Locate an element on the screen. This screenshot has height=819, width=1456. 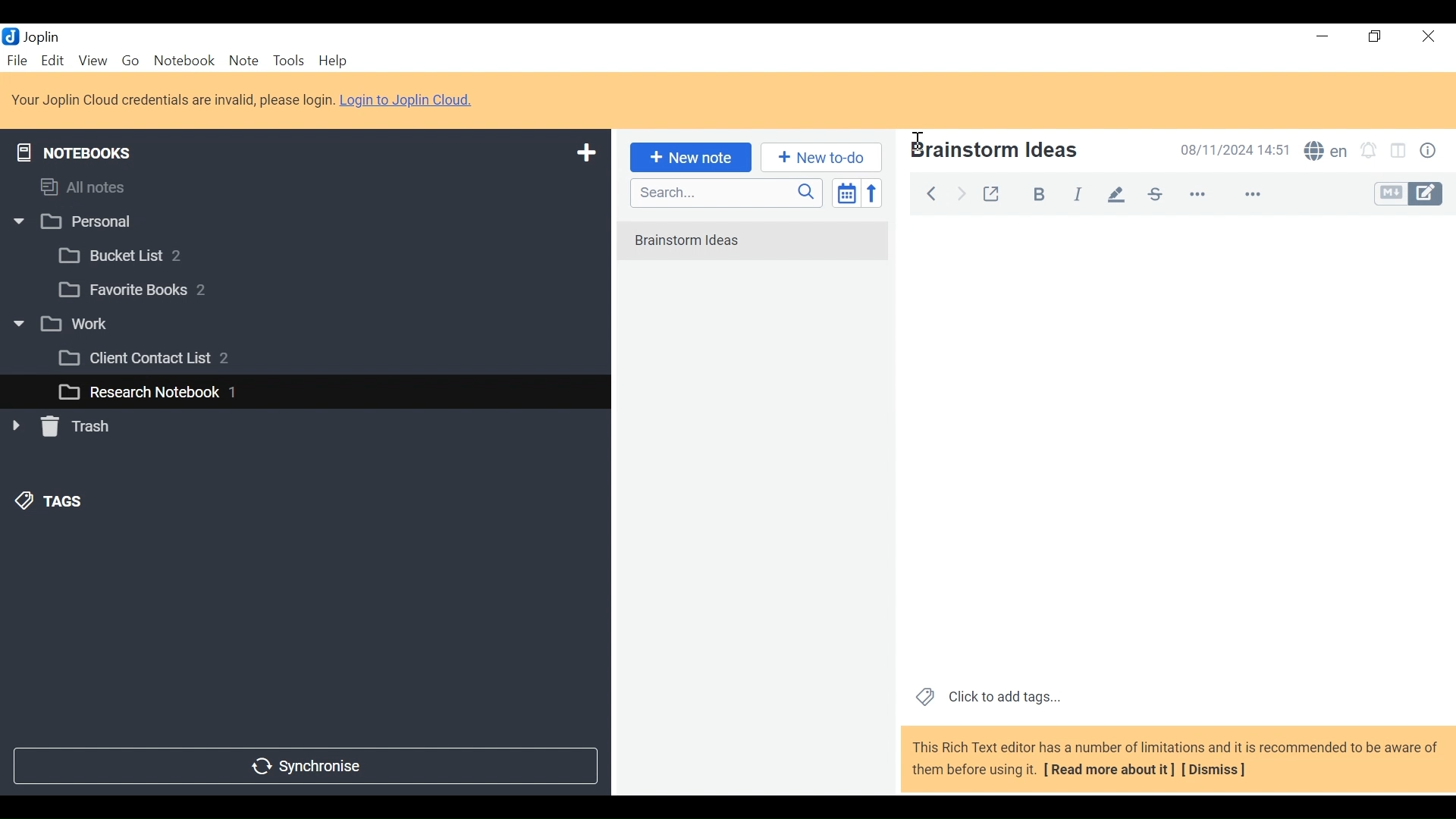
Go is located at coordinates (130, 59).